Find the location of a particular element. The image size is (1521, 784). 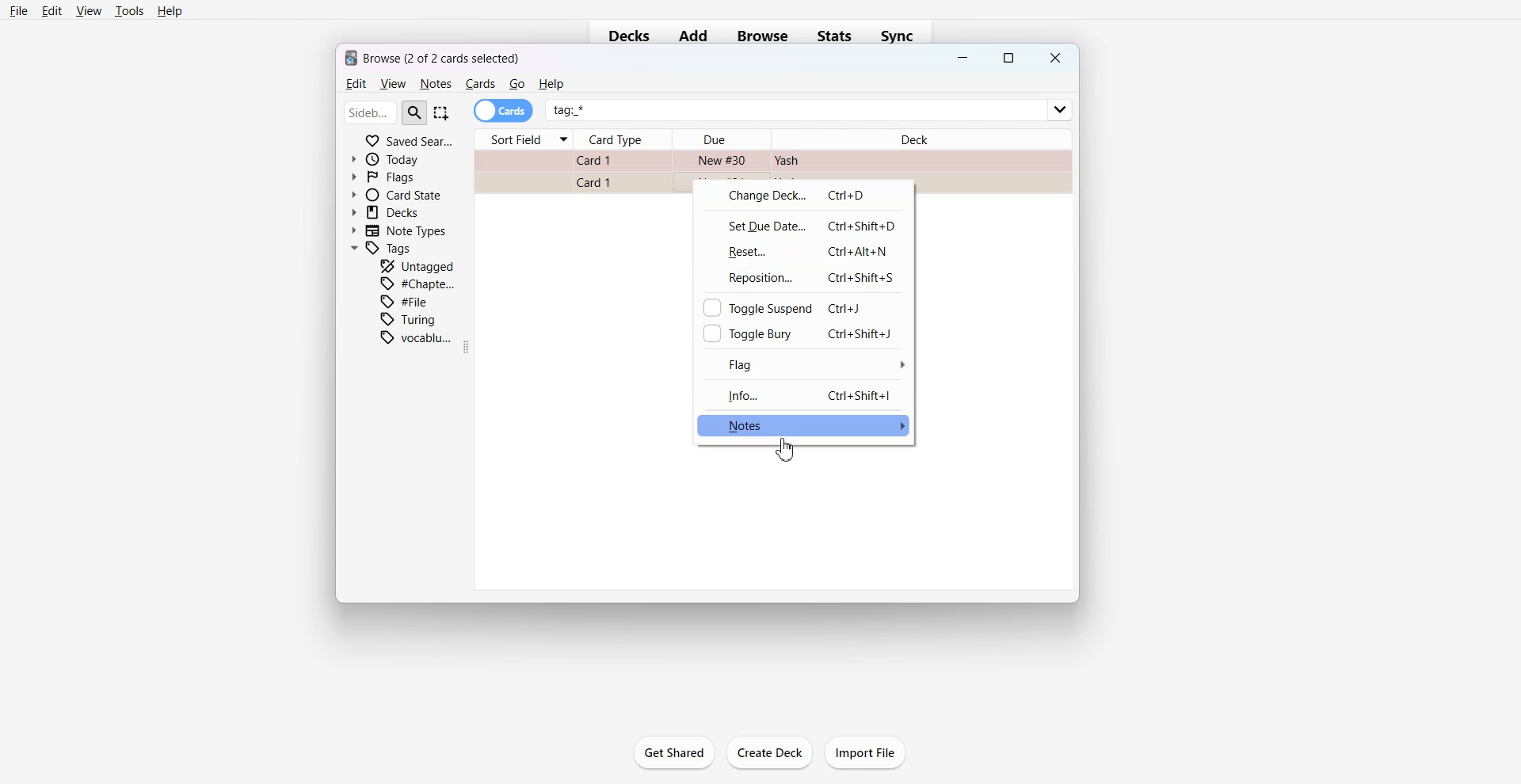

Edit is located at coordinates (52, 10).